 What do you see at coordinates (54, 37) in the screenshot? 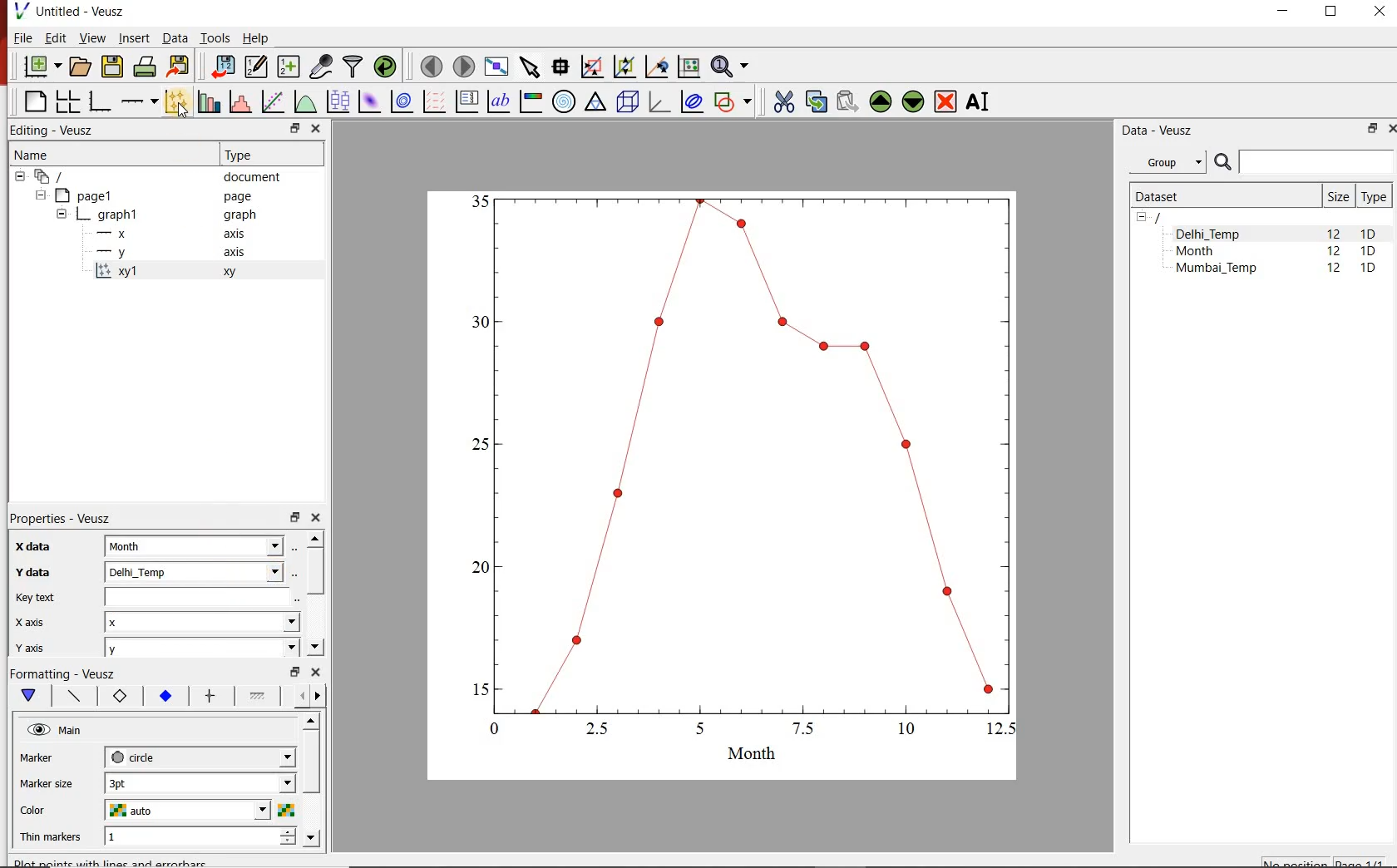
I see `Edit` at bounding box center [54, 37].